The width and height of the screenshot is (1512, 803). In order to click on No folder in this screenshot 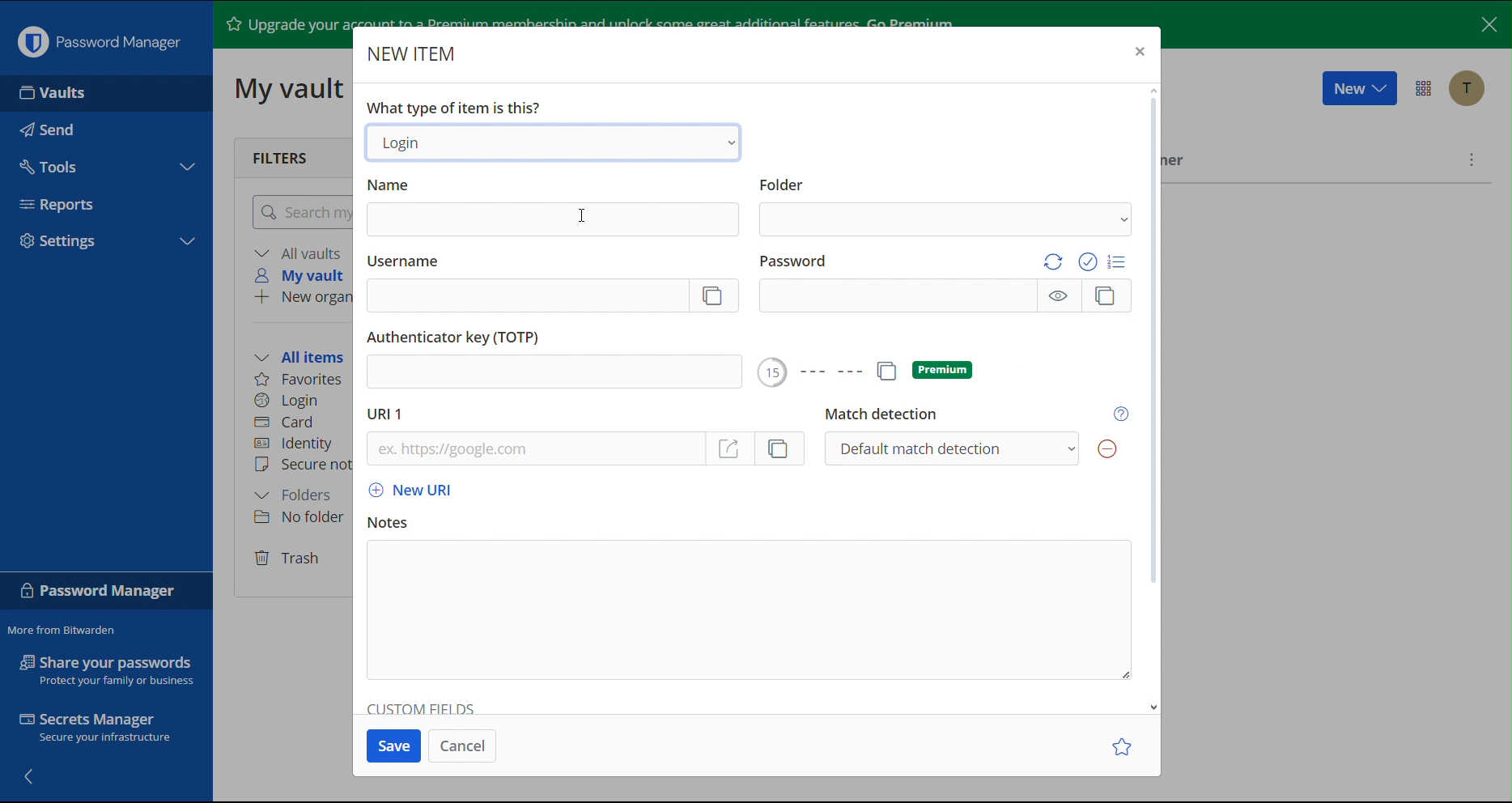, I will do `click(298, 520)`.